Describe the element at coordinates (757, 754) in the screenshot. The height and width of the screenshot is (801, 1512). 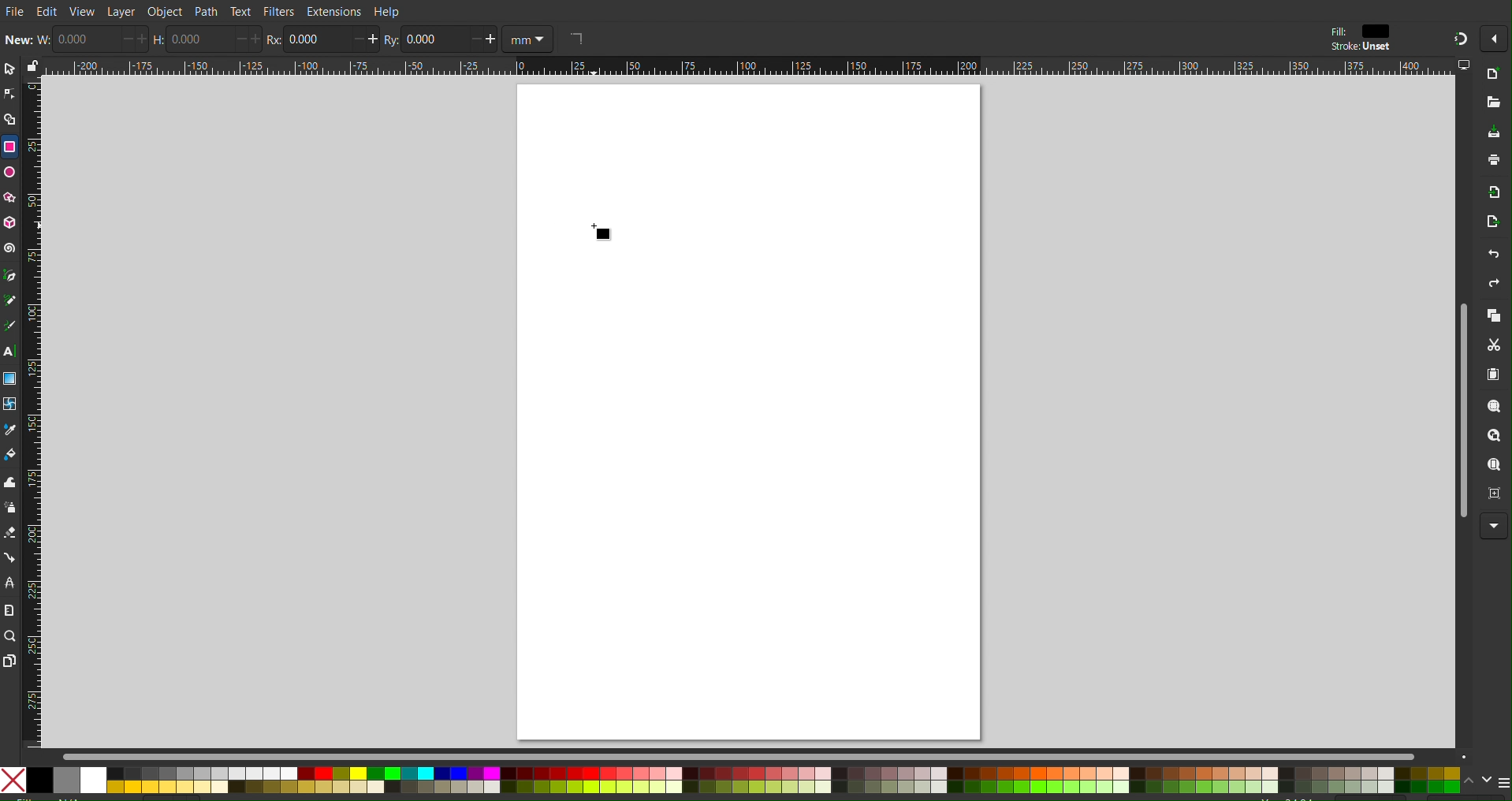
I see `Scrollbar` at that location.